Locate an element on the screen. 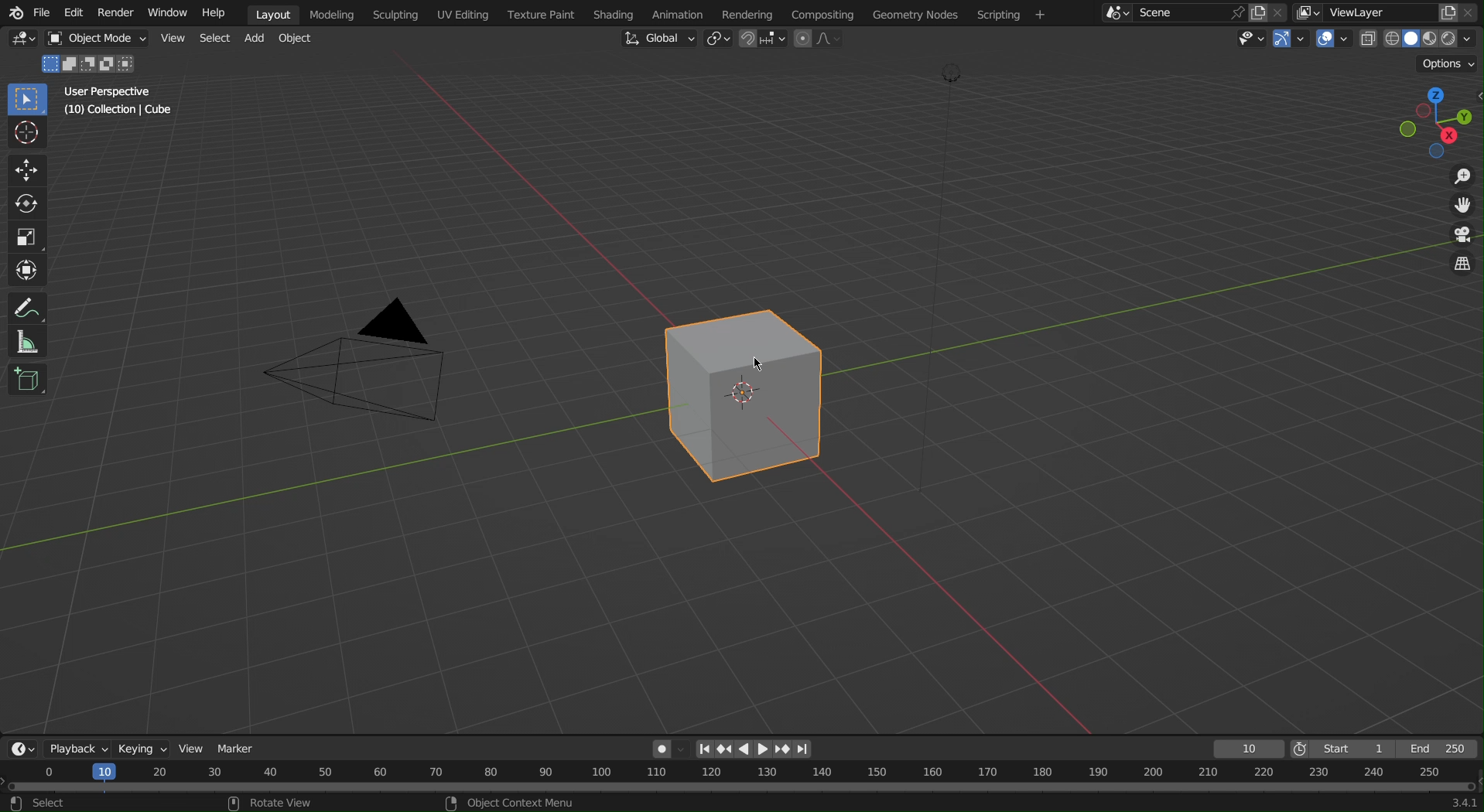 Image resolution: width=1484 pixels, height=812 pixels. Modeling is located at coordinates (333, 12).